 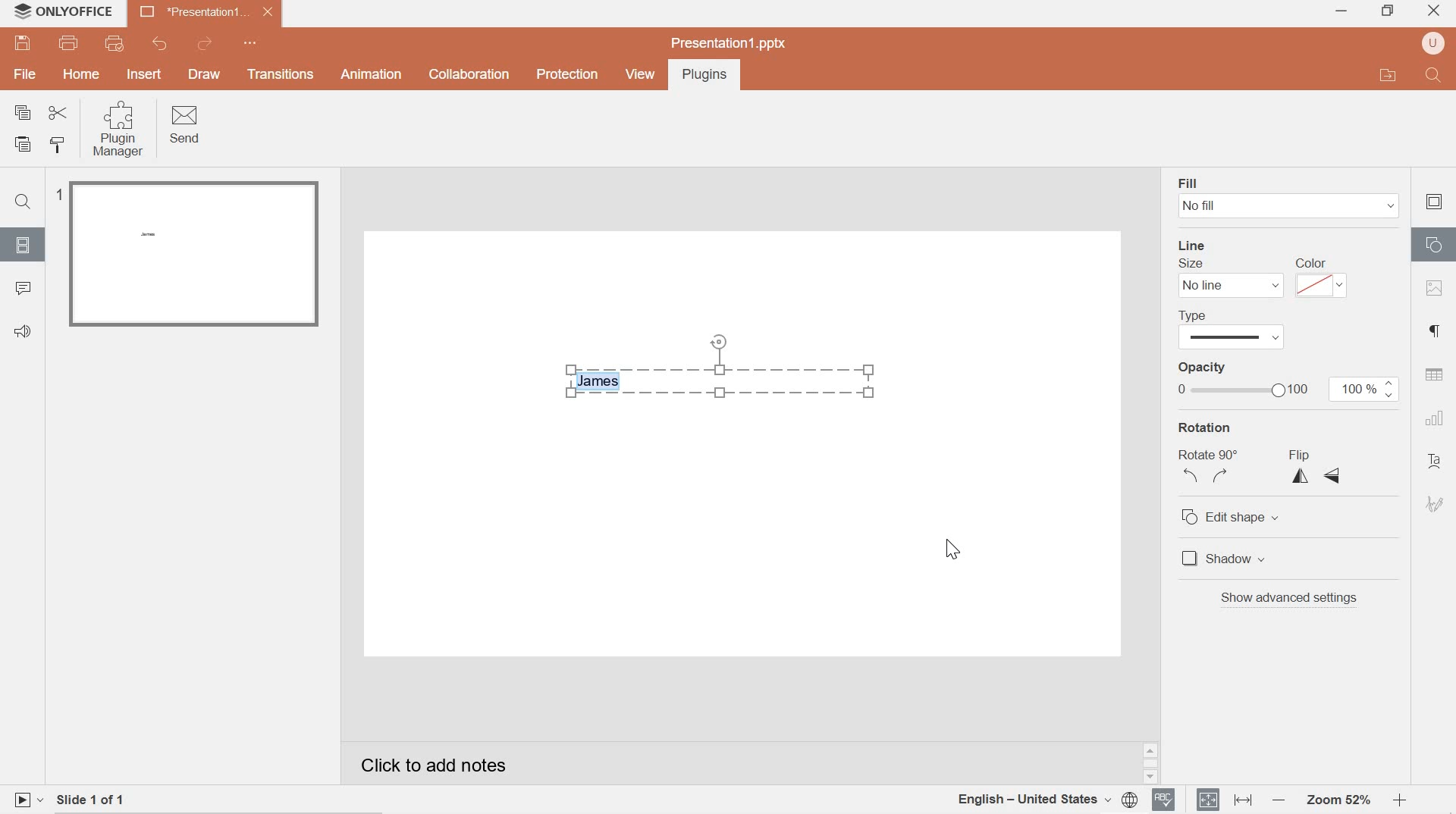 What do you see at coordinates (1434, 202) in the screenshot?
I see `slide settings` at bounding box center [1434, 202].